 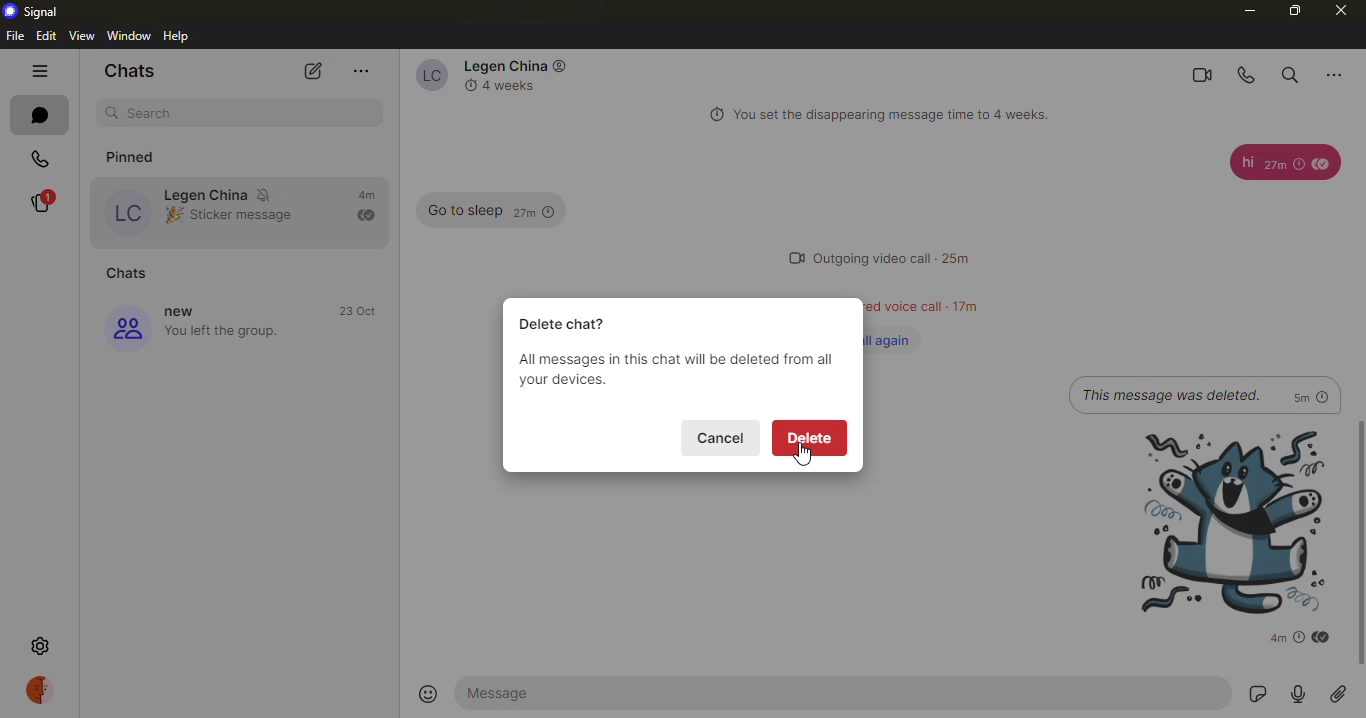 What do you see at coordinates (1289, 637) in the screenshot?
I see `time` at bounding box center [1289, 637].